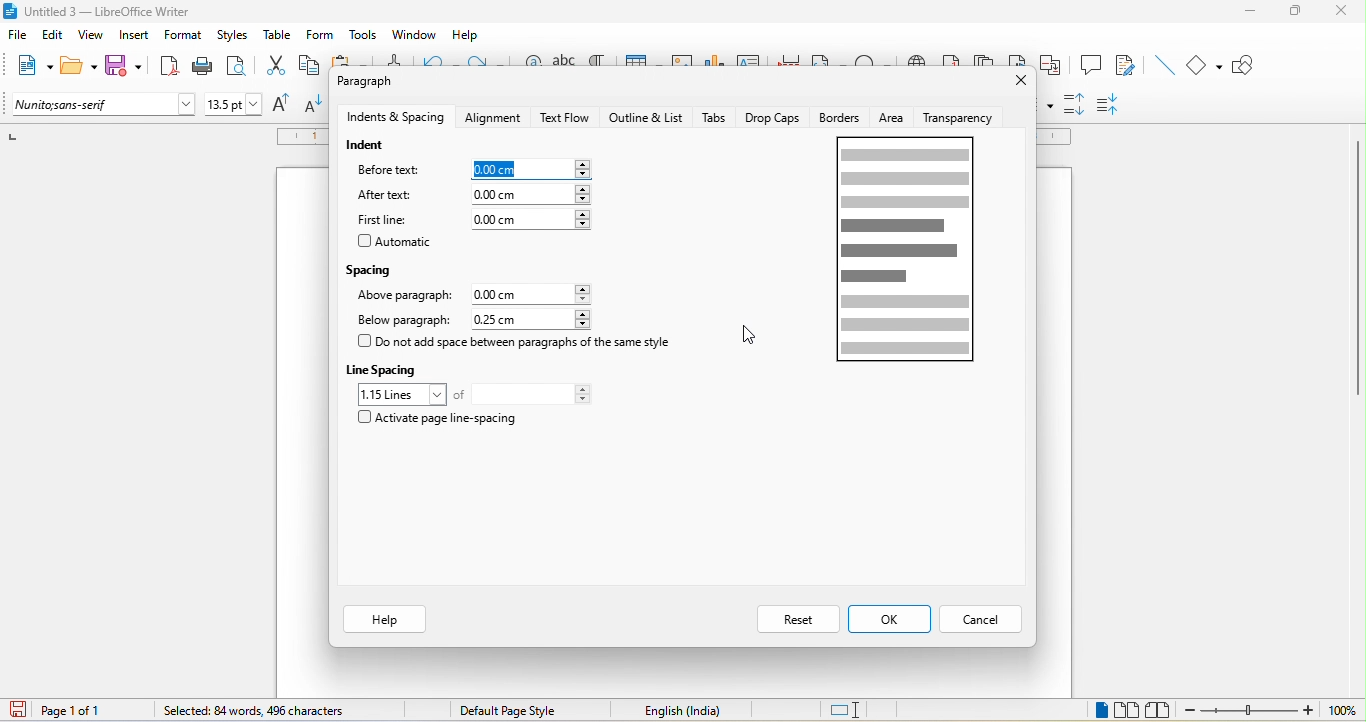  Describe the element at coordinates (381, 370) in the screenshot. I see `line spacing` at that location.